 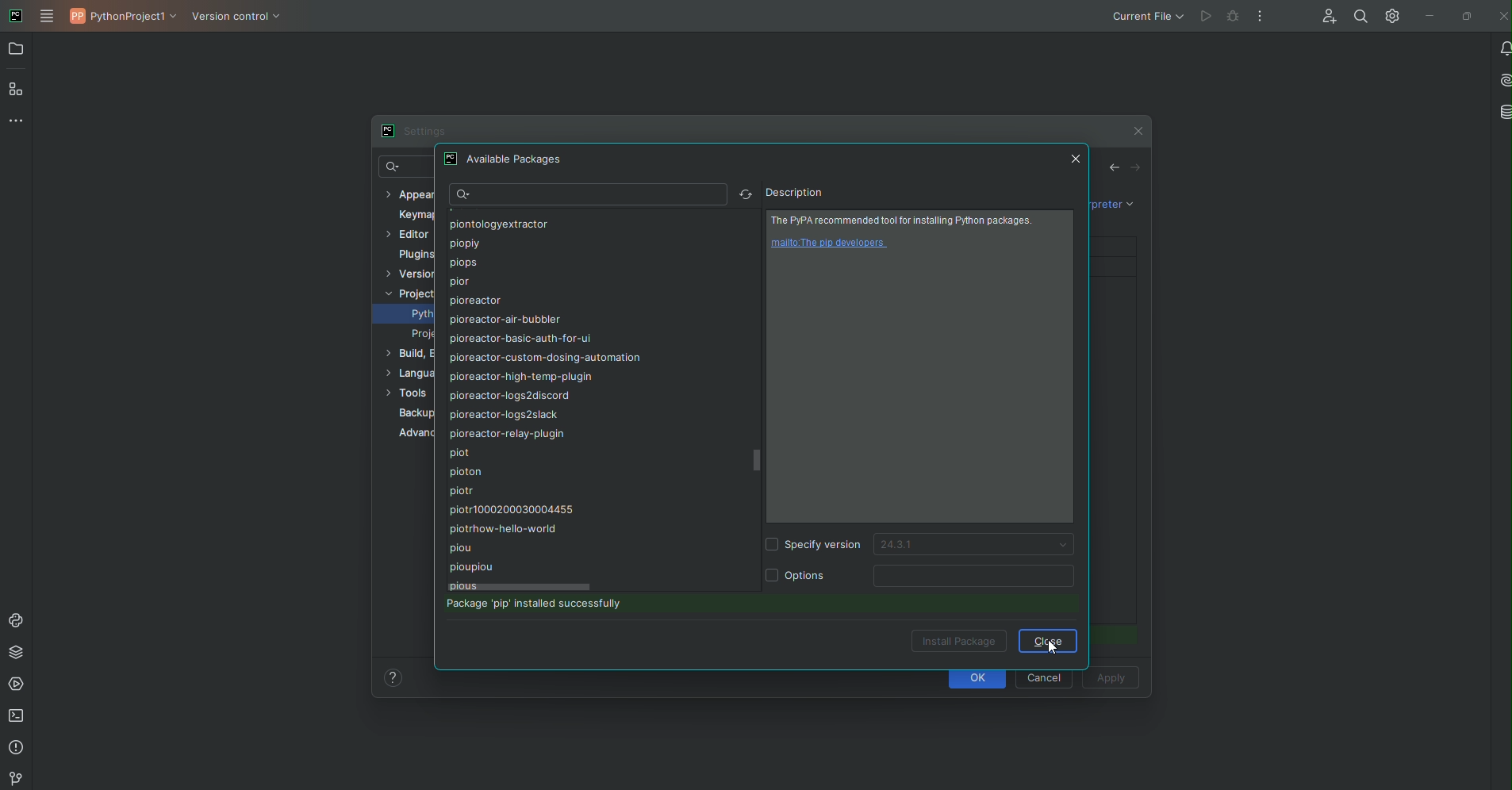 What do you see at coordinates (1258, 18) in the screenshot?
I see `More Options` at bounding box center [1258, 18].